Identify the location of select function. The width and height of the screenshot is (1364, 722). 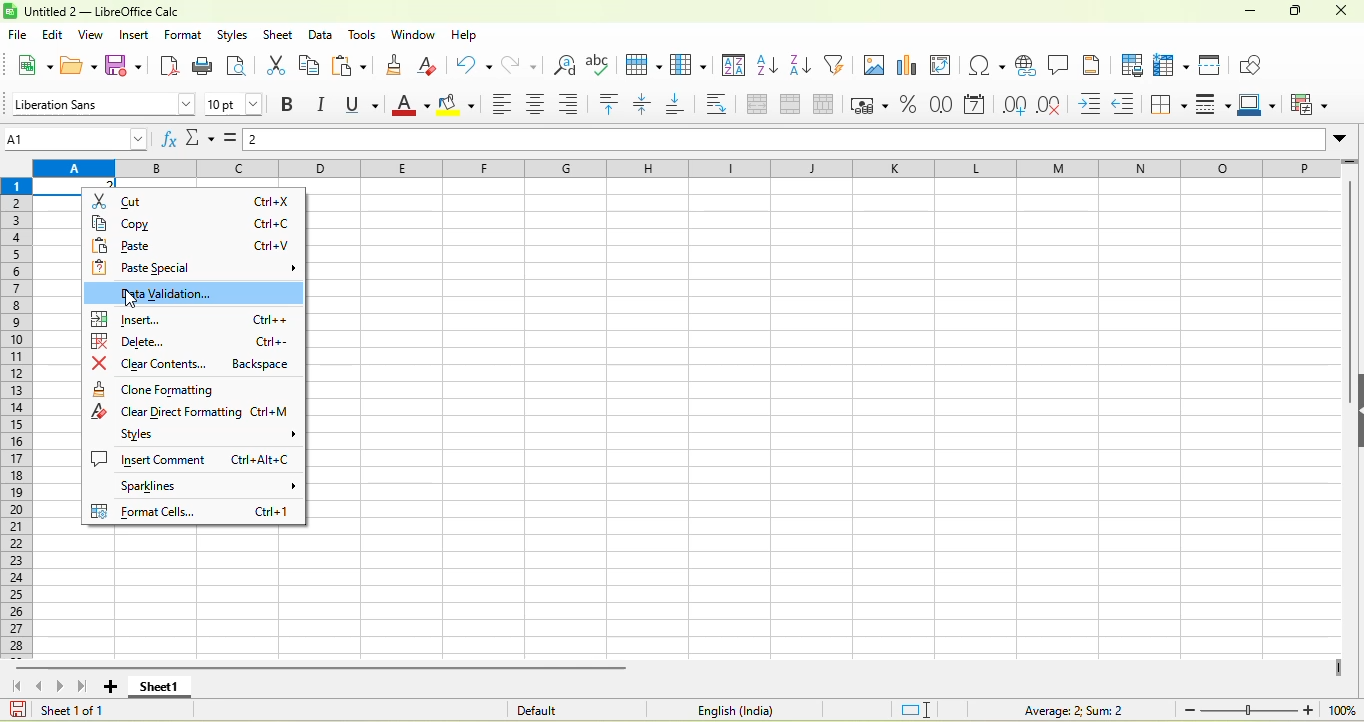
(202, 140).